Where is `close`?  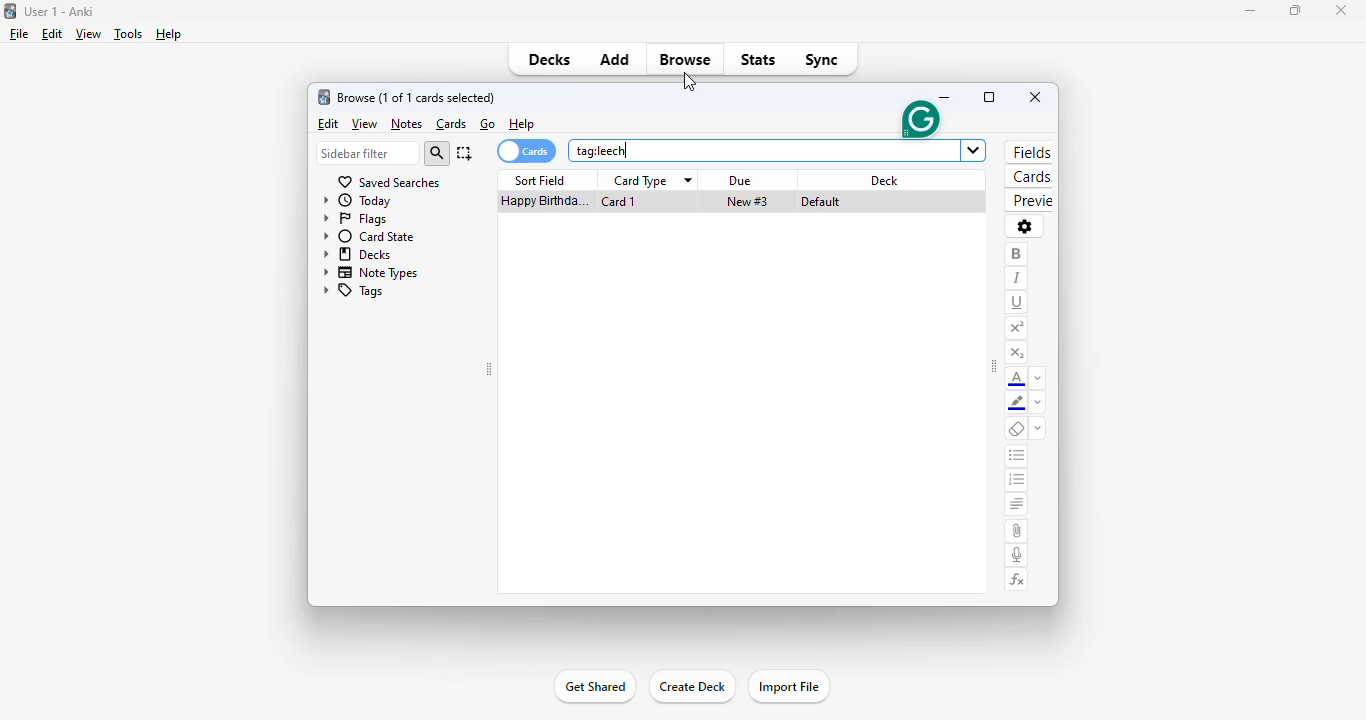
close is located at coordinates (1035, 97).